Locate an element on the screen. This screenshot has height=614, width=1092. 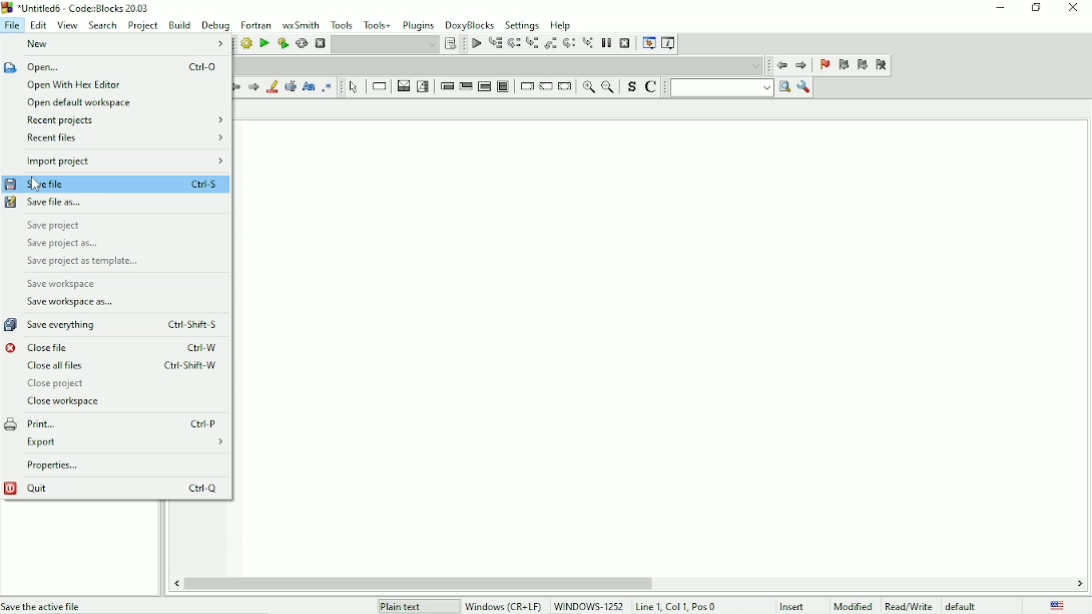
Drop down is located at coordinates (385, 45).